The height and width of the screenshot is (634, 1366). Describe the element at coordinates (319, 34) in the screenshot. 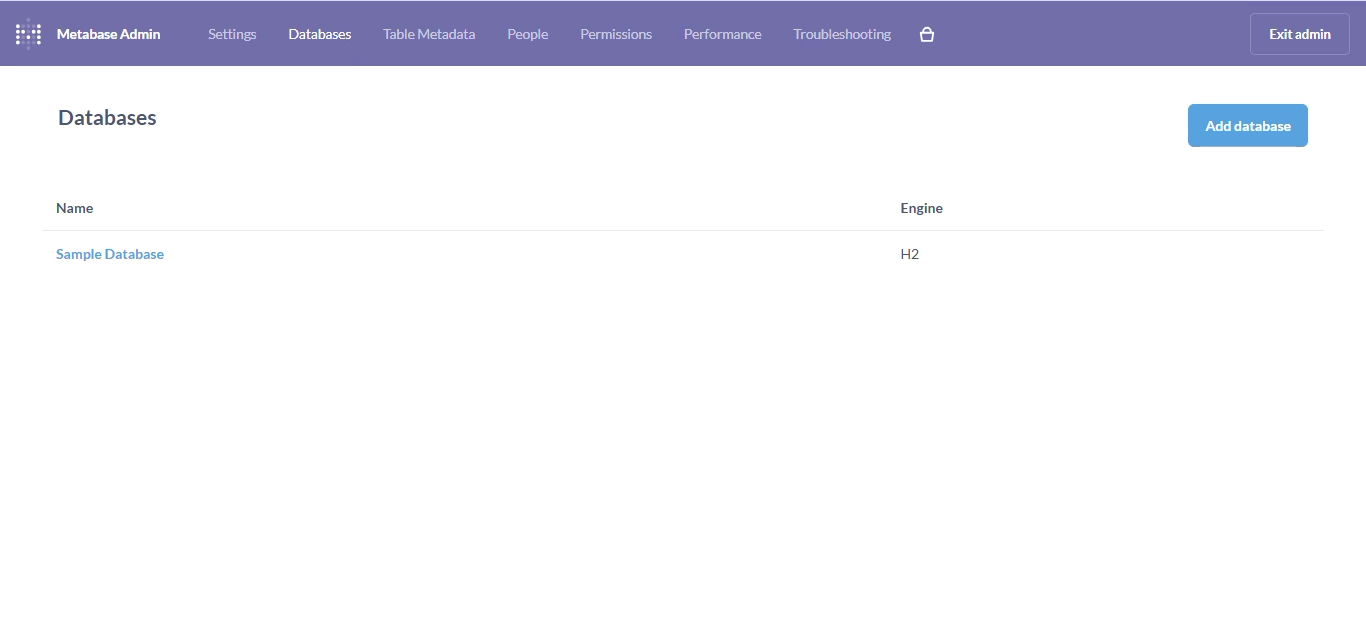

I see `databases` at that location.